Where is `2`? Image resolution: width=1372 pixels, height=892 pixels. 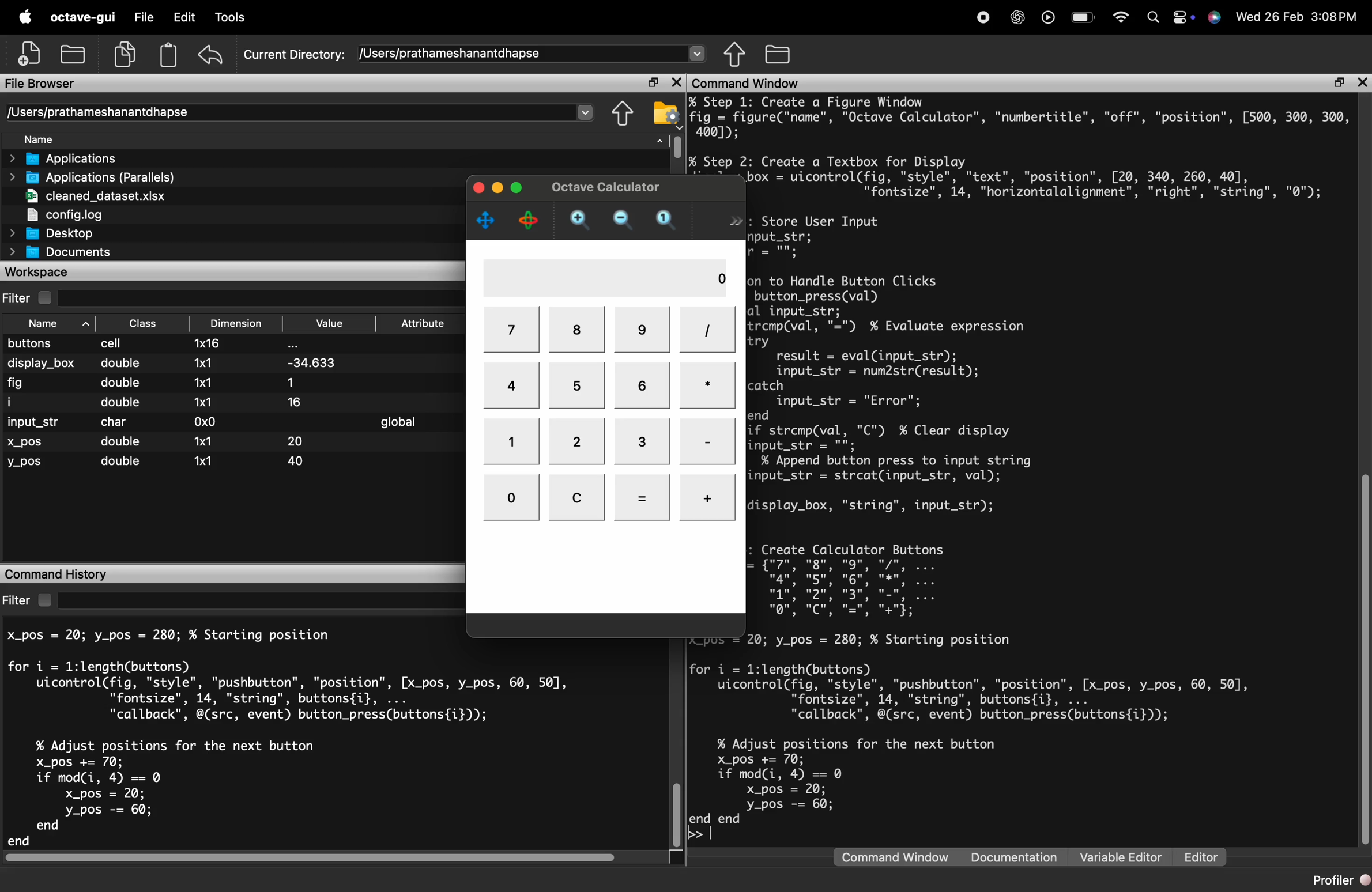
2 is located at coordinates (576, 441).